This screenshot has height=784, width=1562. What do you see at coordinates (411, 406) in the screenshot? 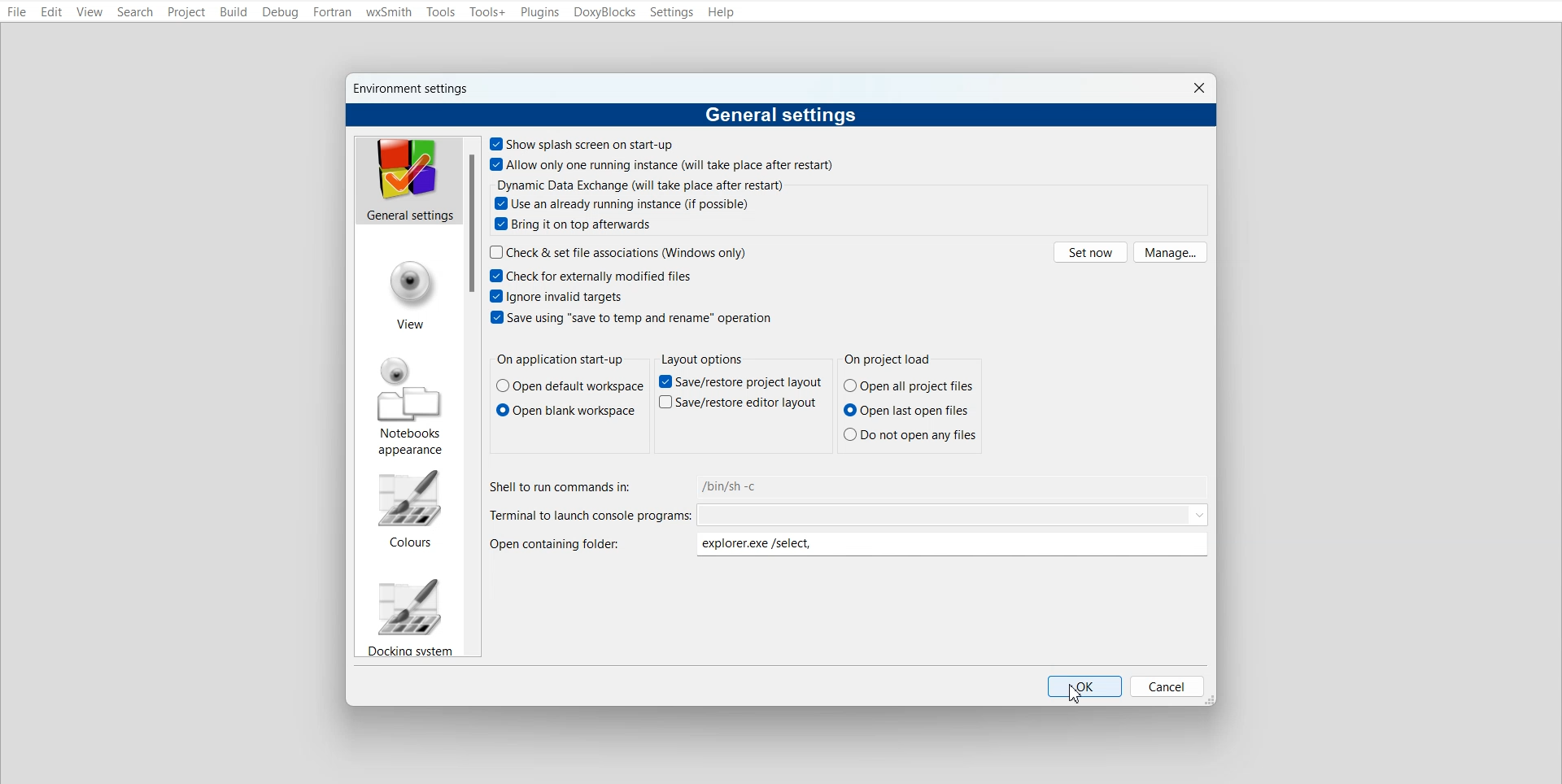
I see `Notebooks appearance` at bounding box center [411, 406].